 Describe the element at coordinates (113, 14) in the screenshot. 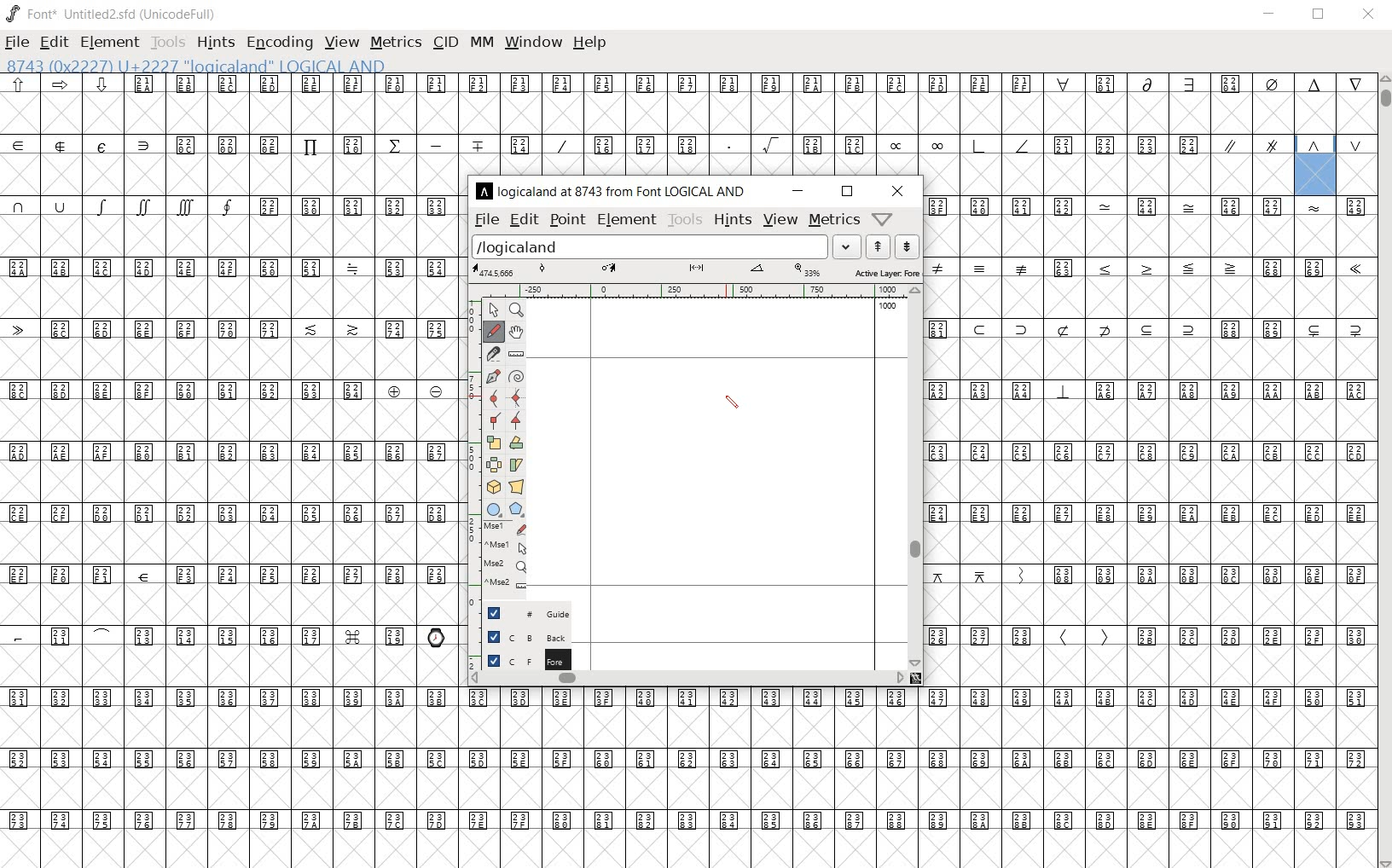

I see `font* Untitled2.sfd (UnicodeFull)` at that location.